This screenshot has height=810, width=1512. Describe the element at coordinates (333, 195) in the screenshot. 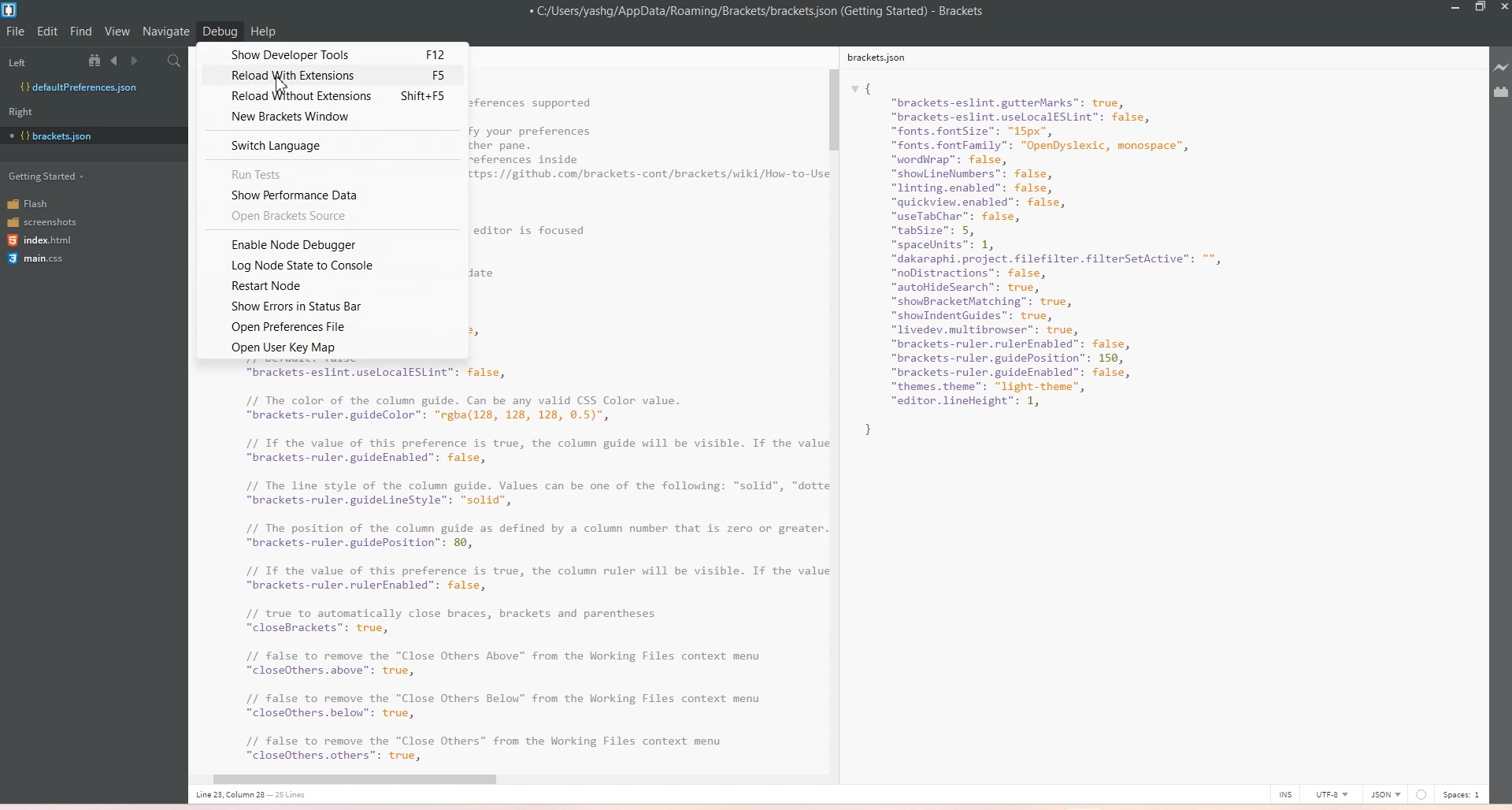

I see `Show performance data` at that location.